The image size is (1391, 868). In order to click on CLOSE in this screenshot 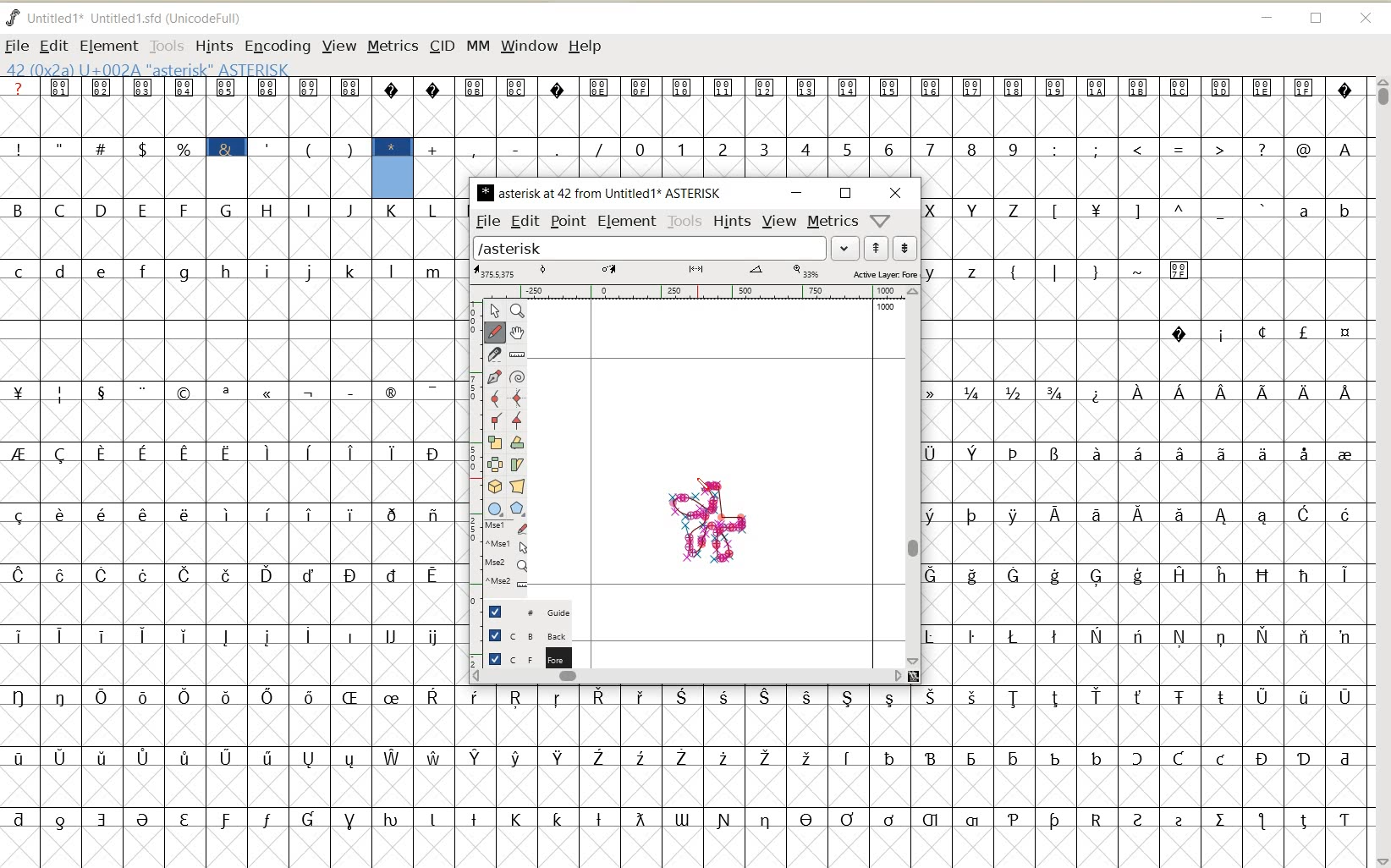, I will do `click(1365, 18)`.